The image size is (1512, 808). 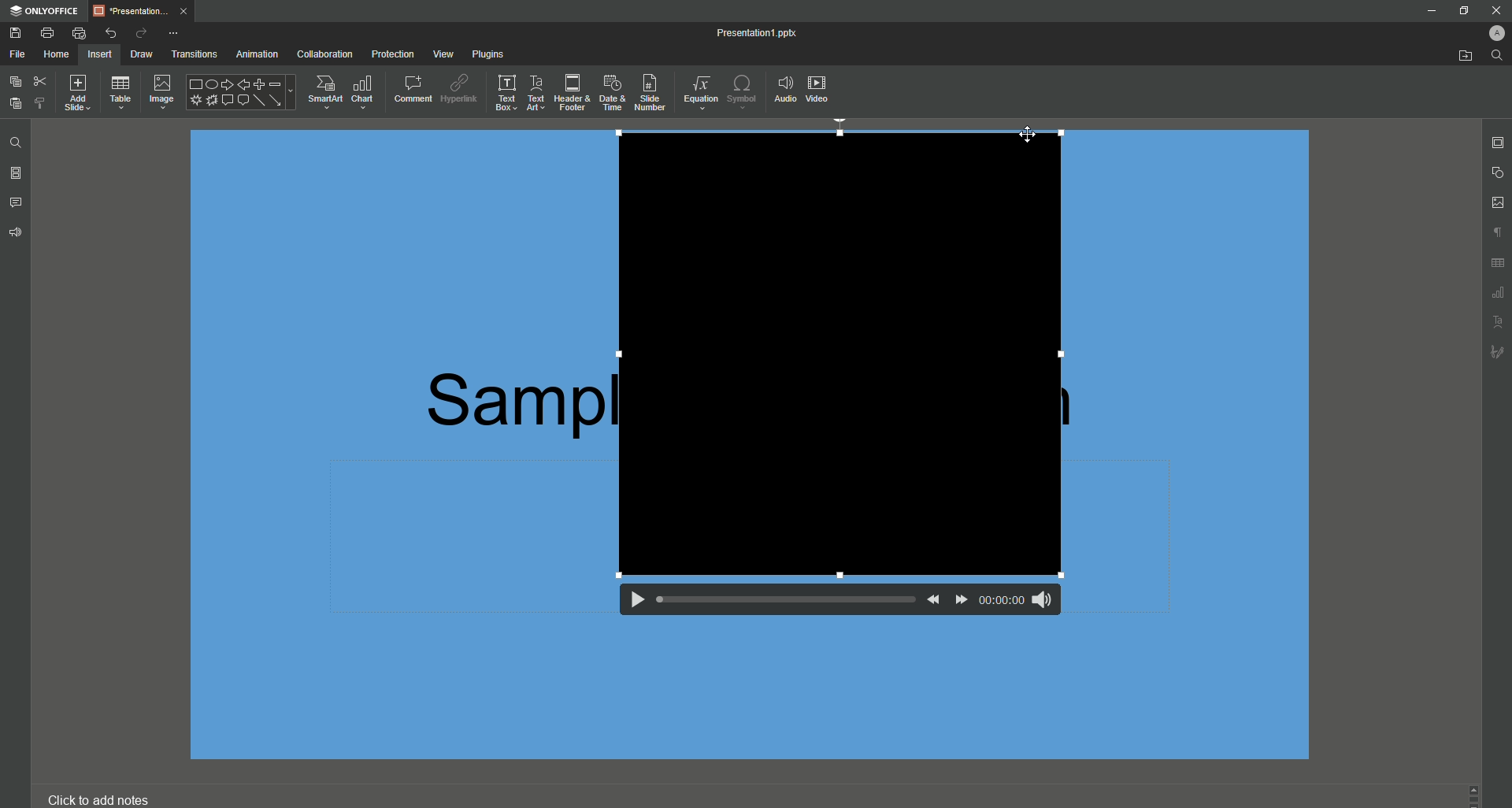 What do you see at coordinates (14, 105) in the screenshot?
I see `Paste` at bounding box center [14, 105].